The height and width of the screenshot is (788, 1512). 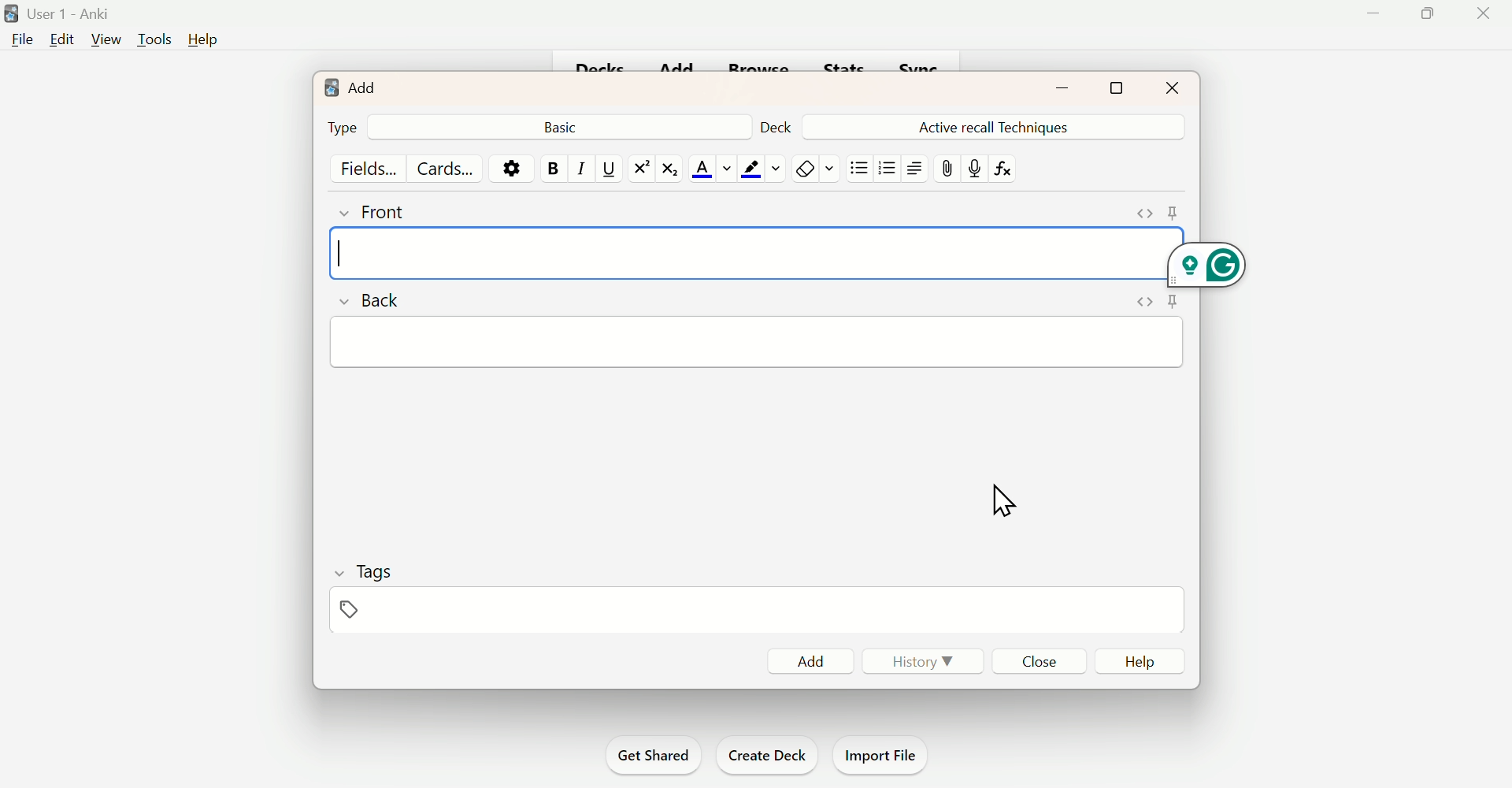 What do you see at coordinates (812, 167) in the screenshot?
I see `Remove Formatting` at bounding box center [812, 167].